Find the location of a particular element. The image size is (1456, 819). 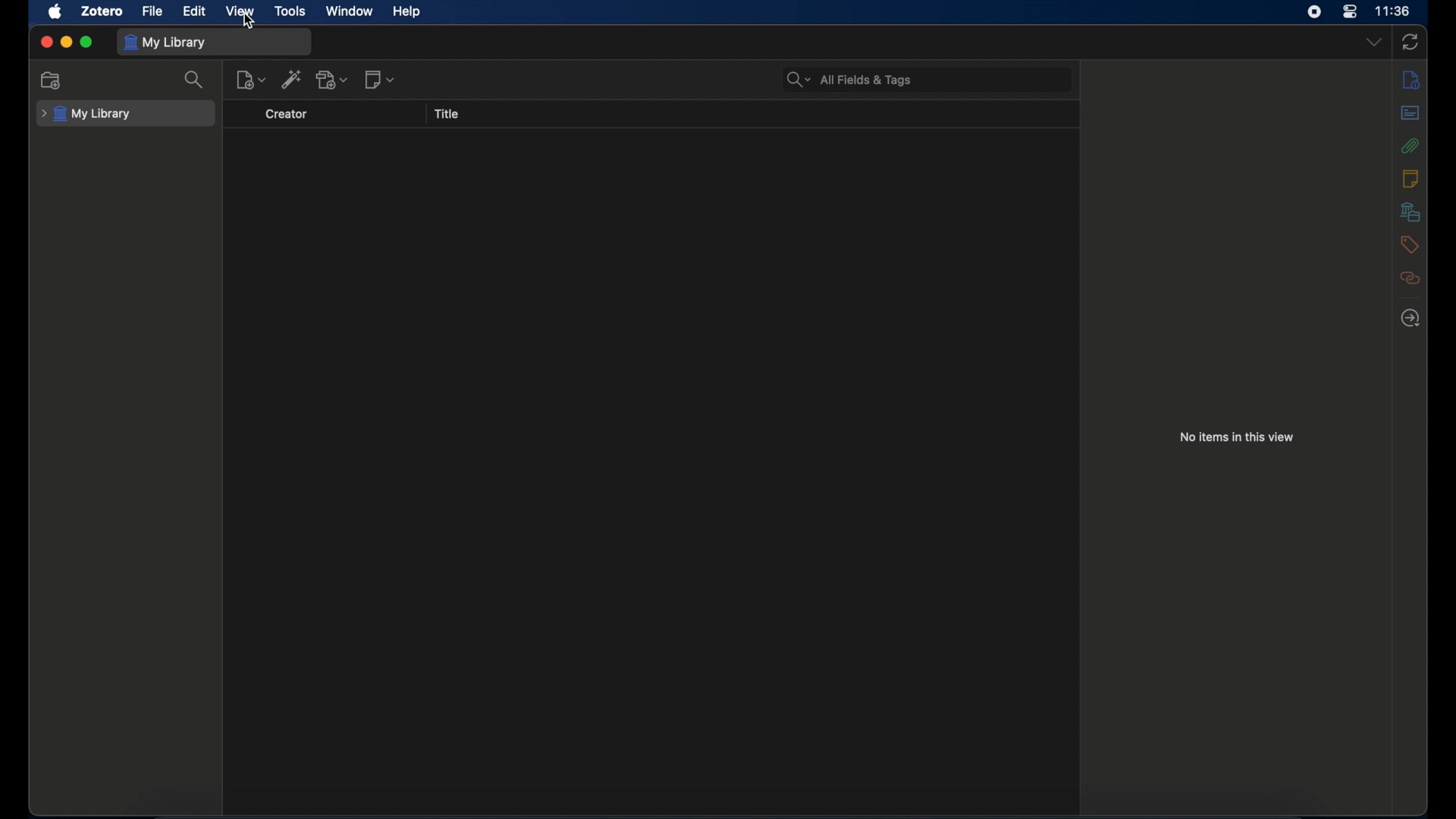

my library is located at coordinates (165, 43).